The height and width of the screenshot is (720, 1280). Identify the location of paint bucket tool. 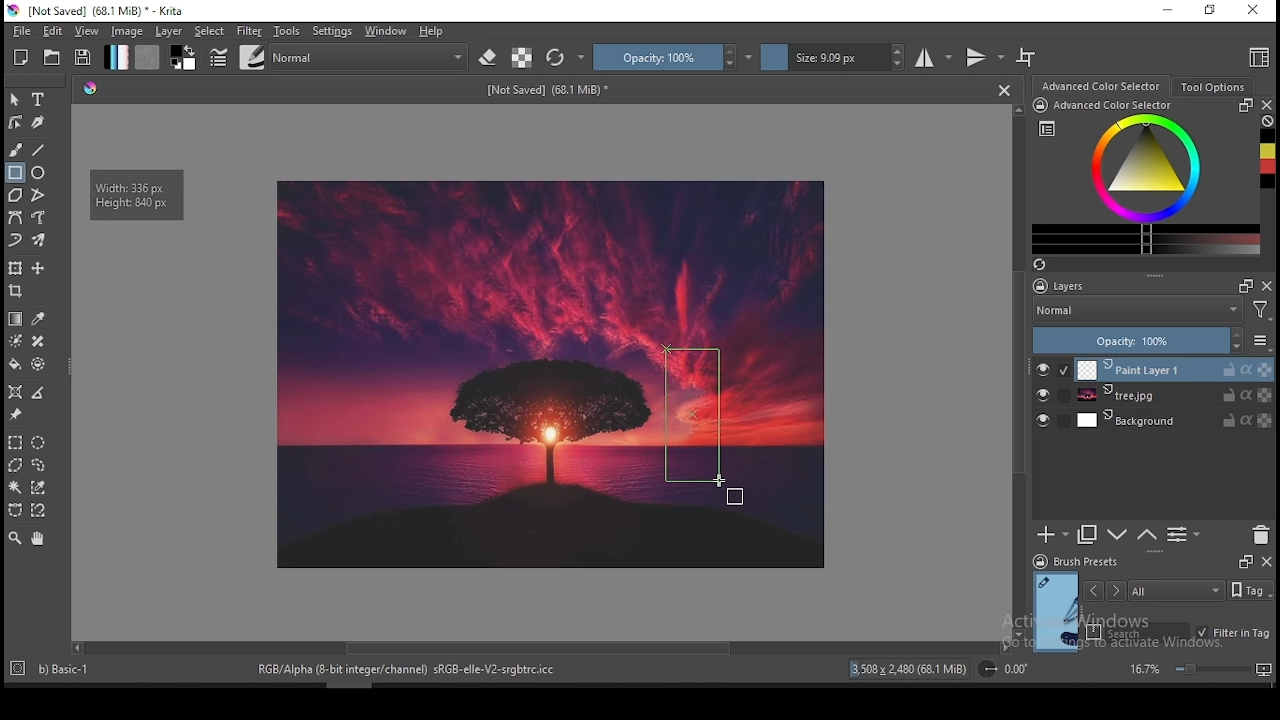
(17, 365).